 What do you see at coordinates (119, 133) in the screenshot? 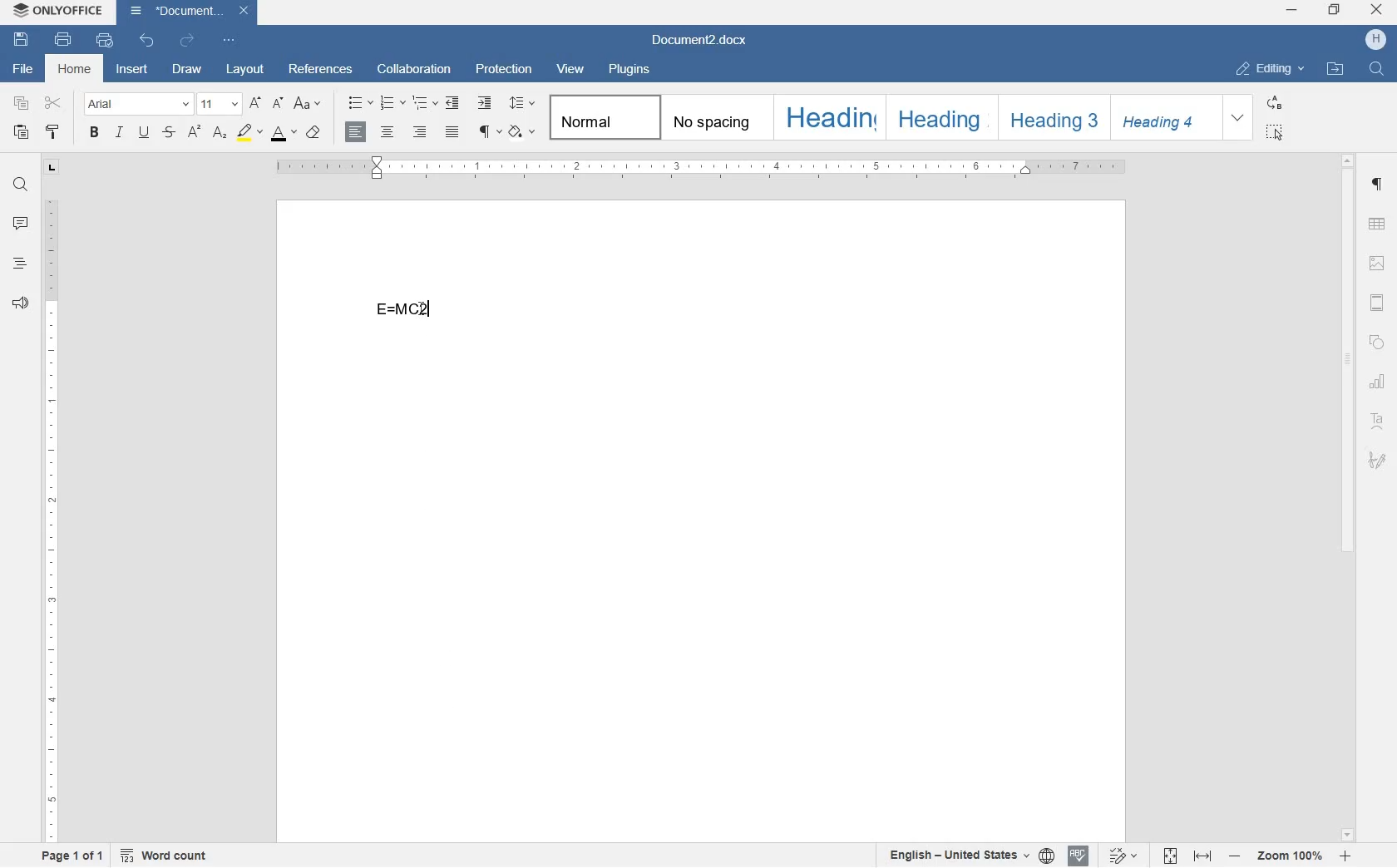
I see `italic` at bounding box center [119, 133].